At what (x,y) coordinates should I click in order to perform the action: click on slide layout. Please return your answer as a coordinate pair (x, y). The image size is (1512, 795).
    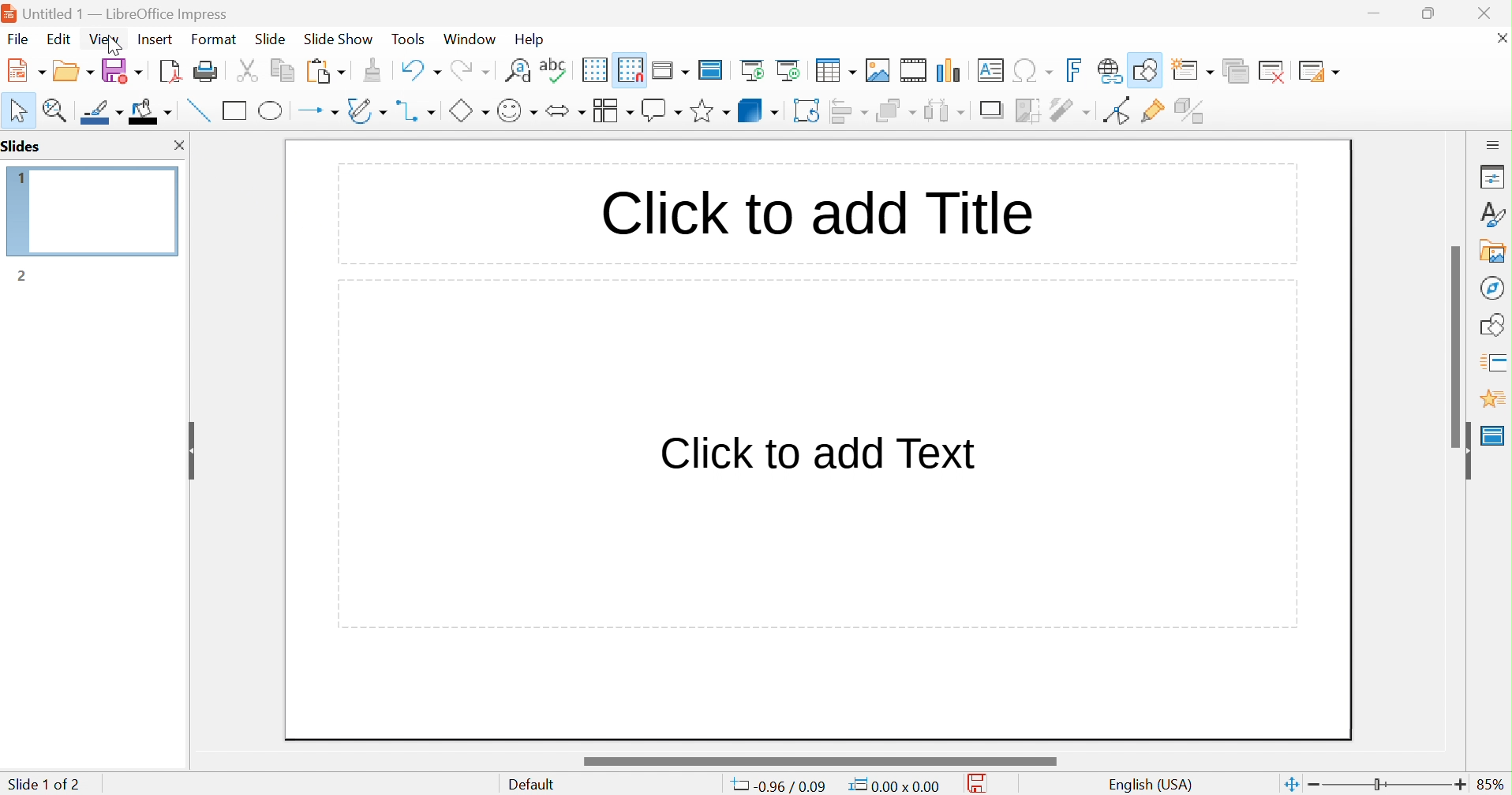
    Looking at the image, I should click on (1319, 70).